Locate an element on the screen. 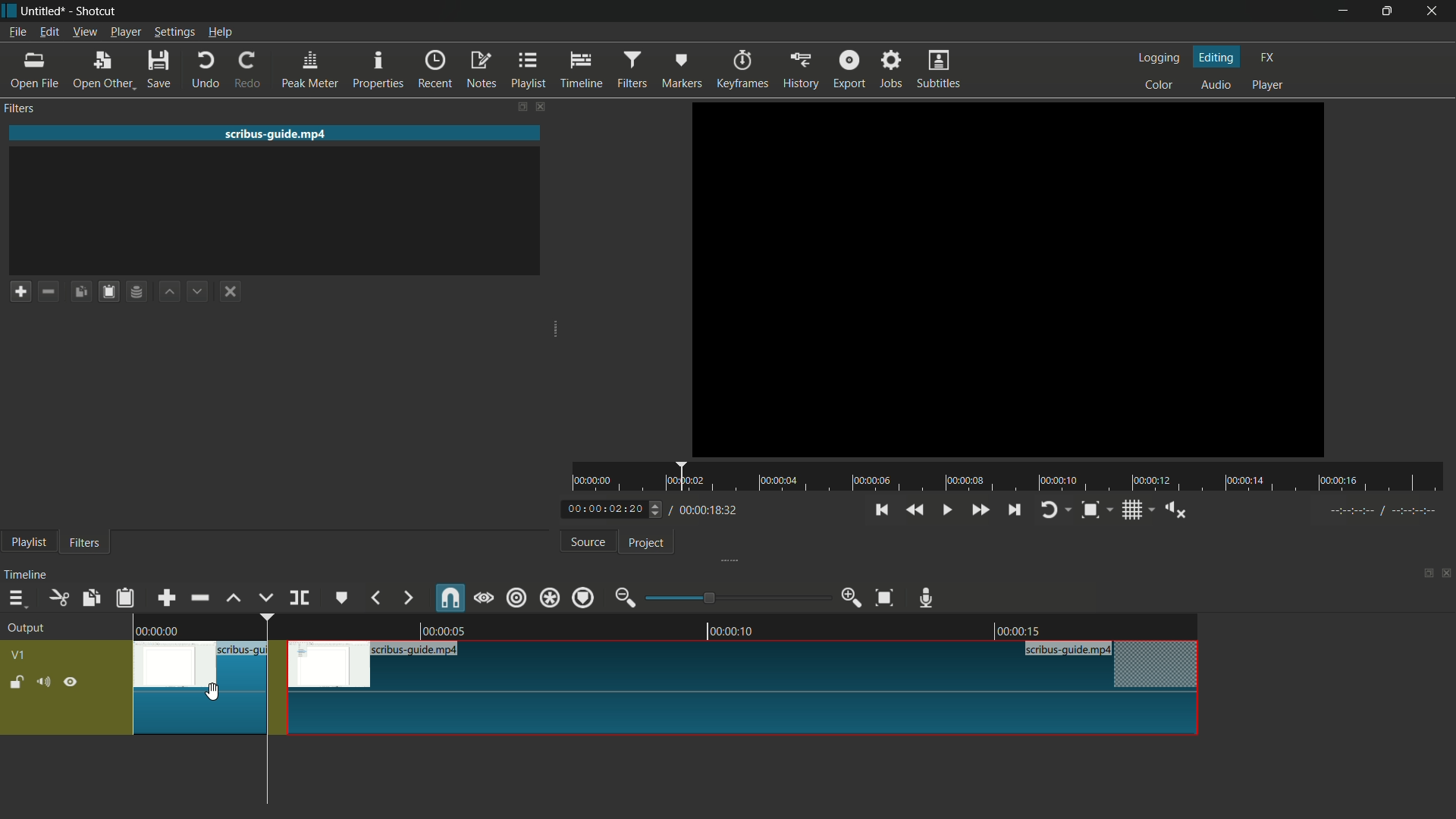 This screenshot has width=1456, height=819. toggle play or pause is located at coordinates (946, 510).